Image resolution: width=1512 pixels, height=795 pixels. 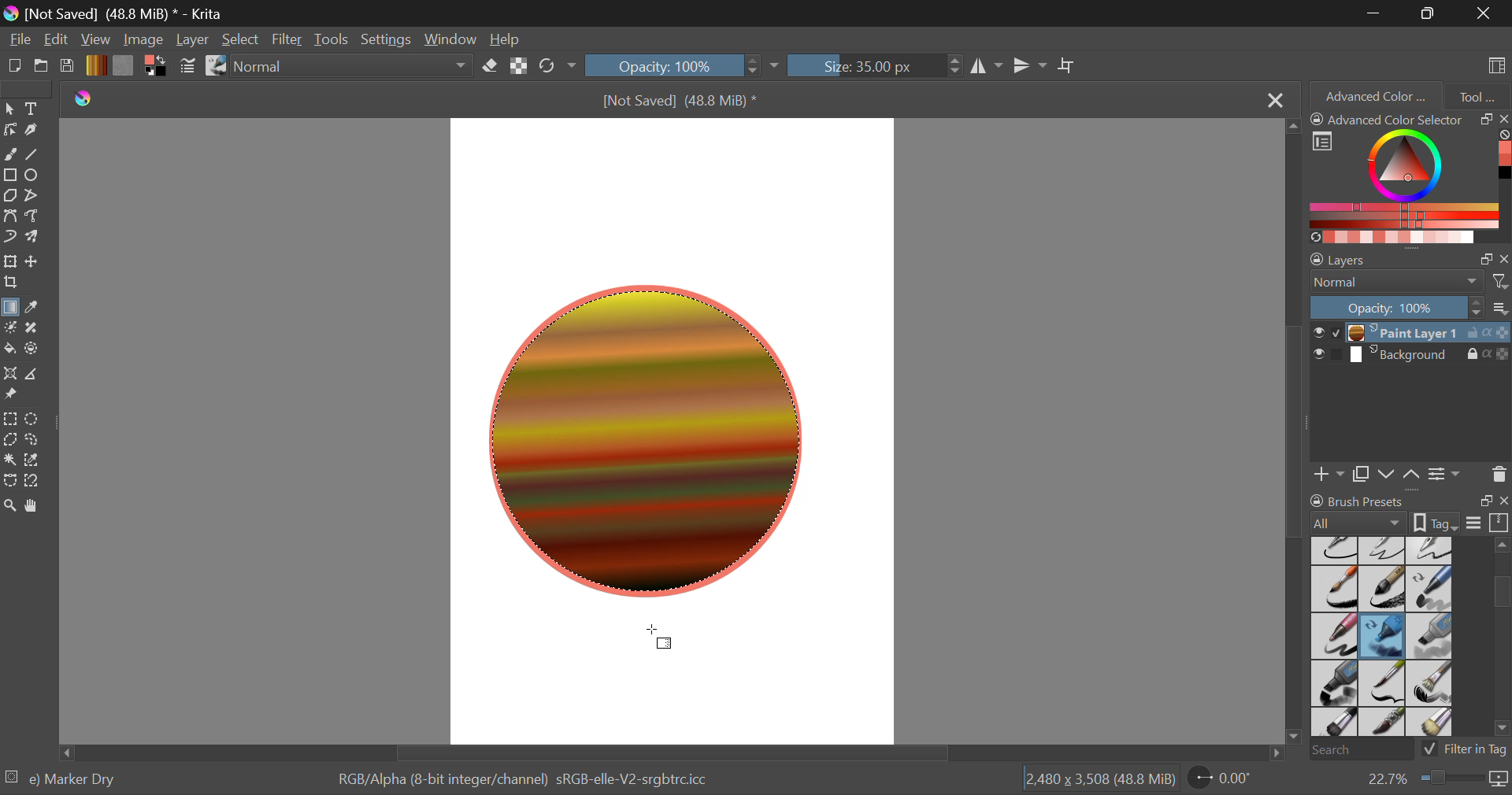 What do you see at coordinates (1069, 66) in the screenshot?
I see `Crop` at bounding box center [1069, 66].